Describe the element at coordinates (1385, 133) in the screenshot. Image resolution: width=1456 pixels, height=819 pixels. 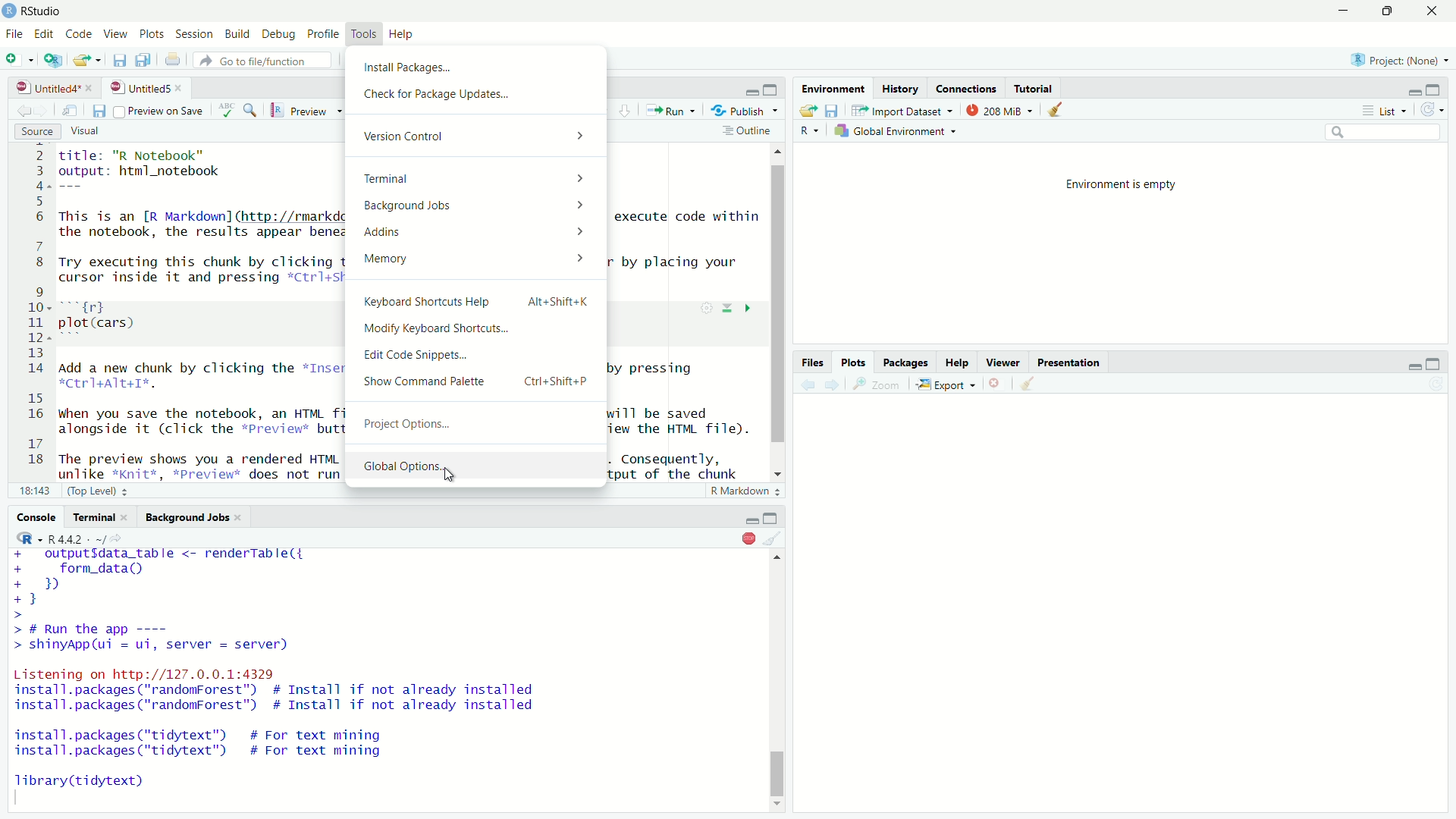
I see `search` at that location.